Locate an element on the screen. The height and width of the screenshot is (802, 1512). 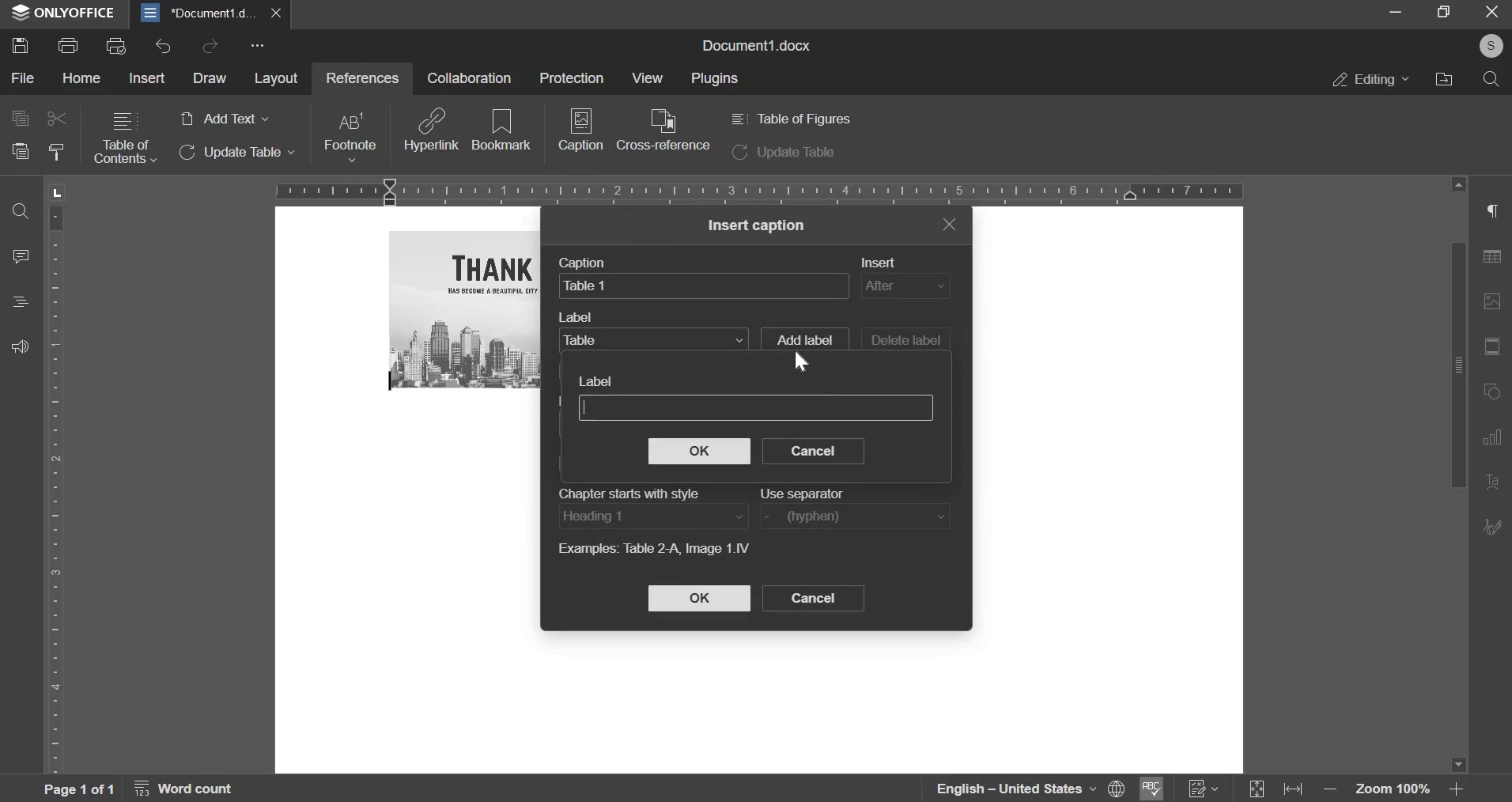
Set Document Language is located at coordinates (1117, 788).